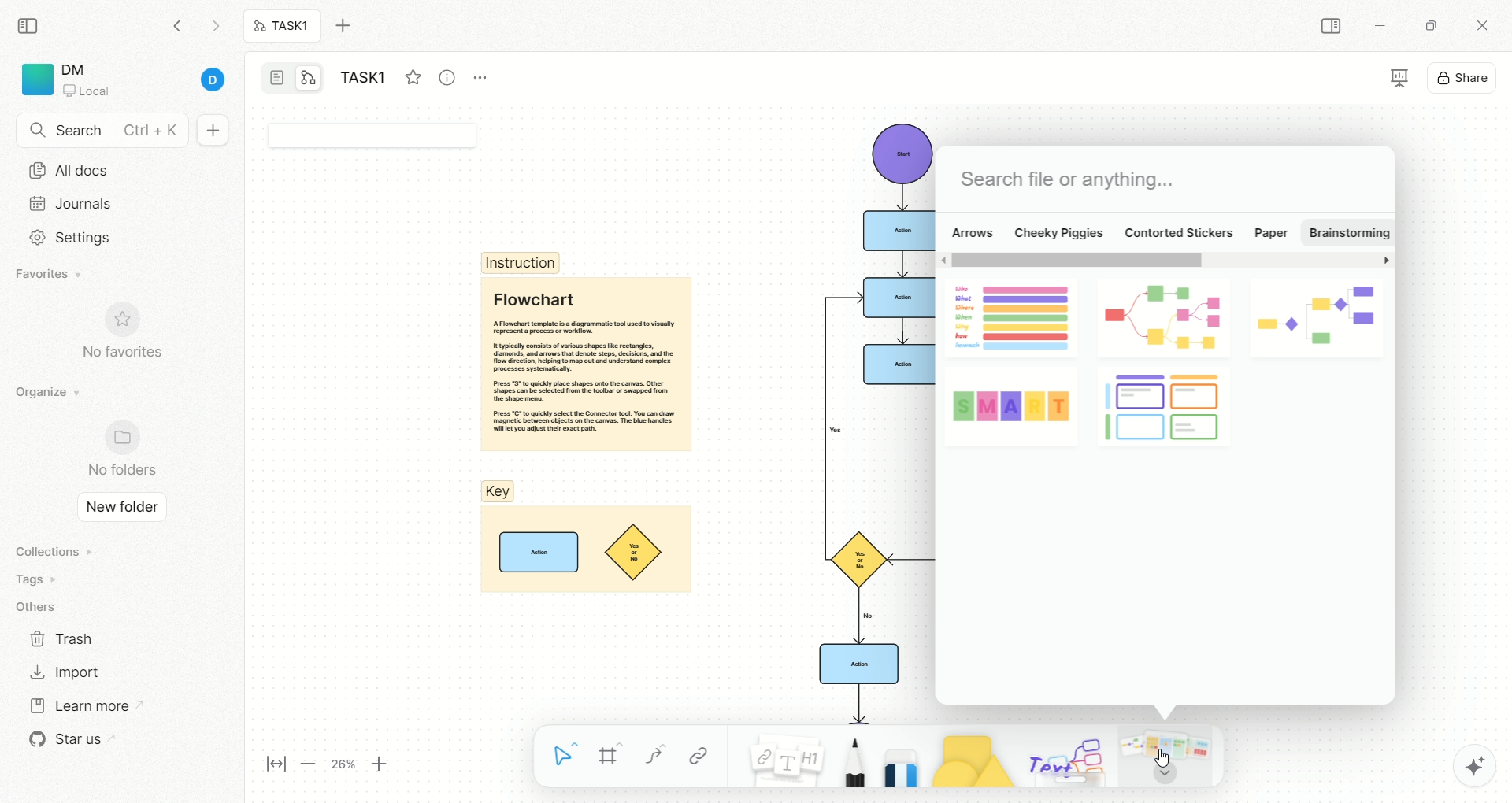 Image resolution: width=1512 pixels, height=803 pixels. I want to click on shapes, so click(965, 757).